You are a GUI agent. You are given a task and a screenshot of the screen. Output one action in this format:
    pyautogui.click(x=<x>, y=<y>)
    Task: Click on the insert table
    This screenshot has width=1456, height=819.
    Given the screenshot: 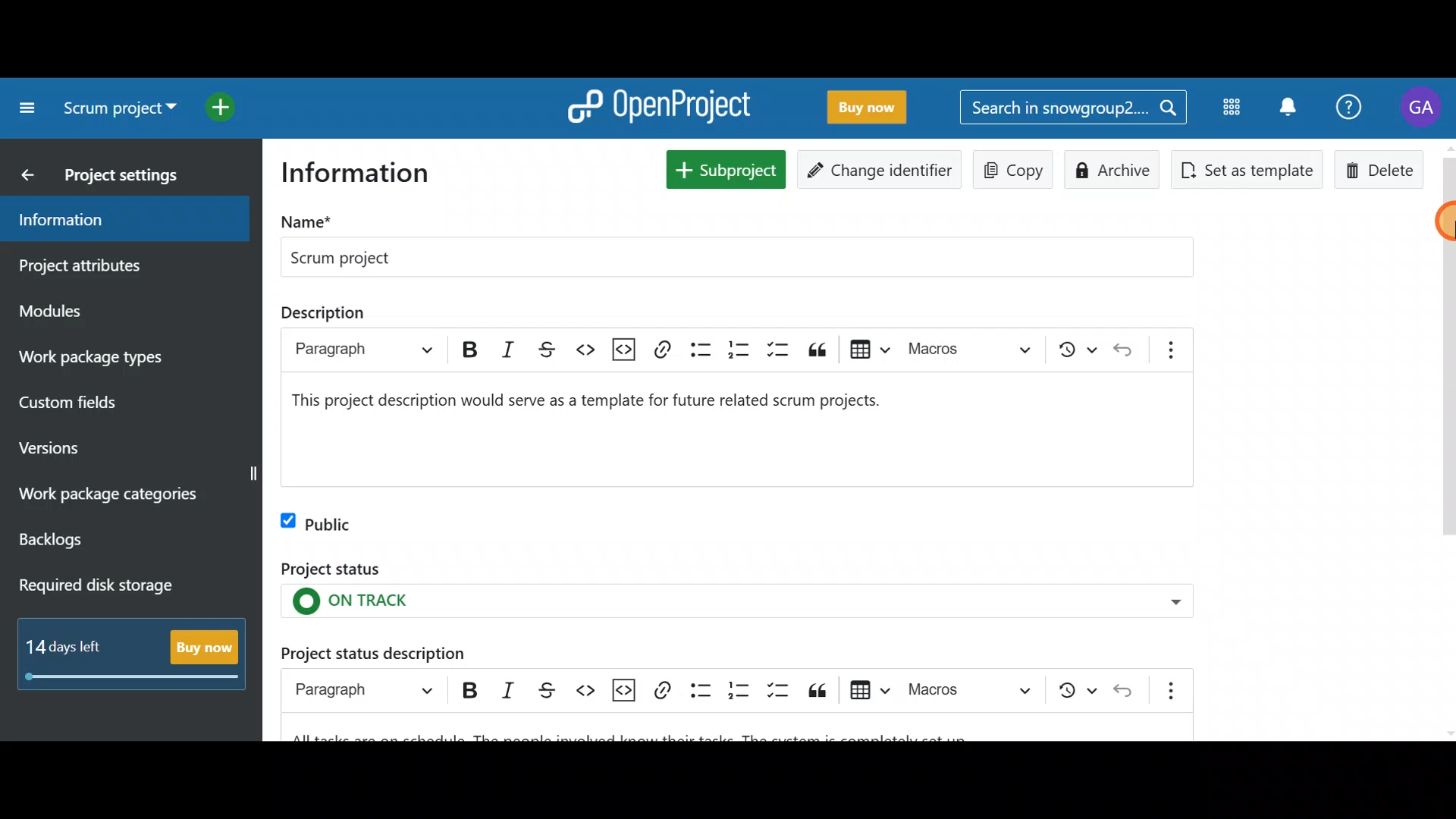 What is the action you would take?
    pyautogui.click(x=871, y=349)
    